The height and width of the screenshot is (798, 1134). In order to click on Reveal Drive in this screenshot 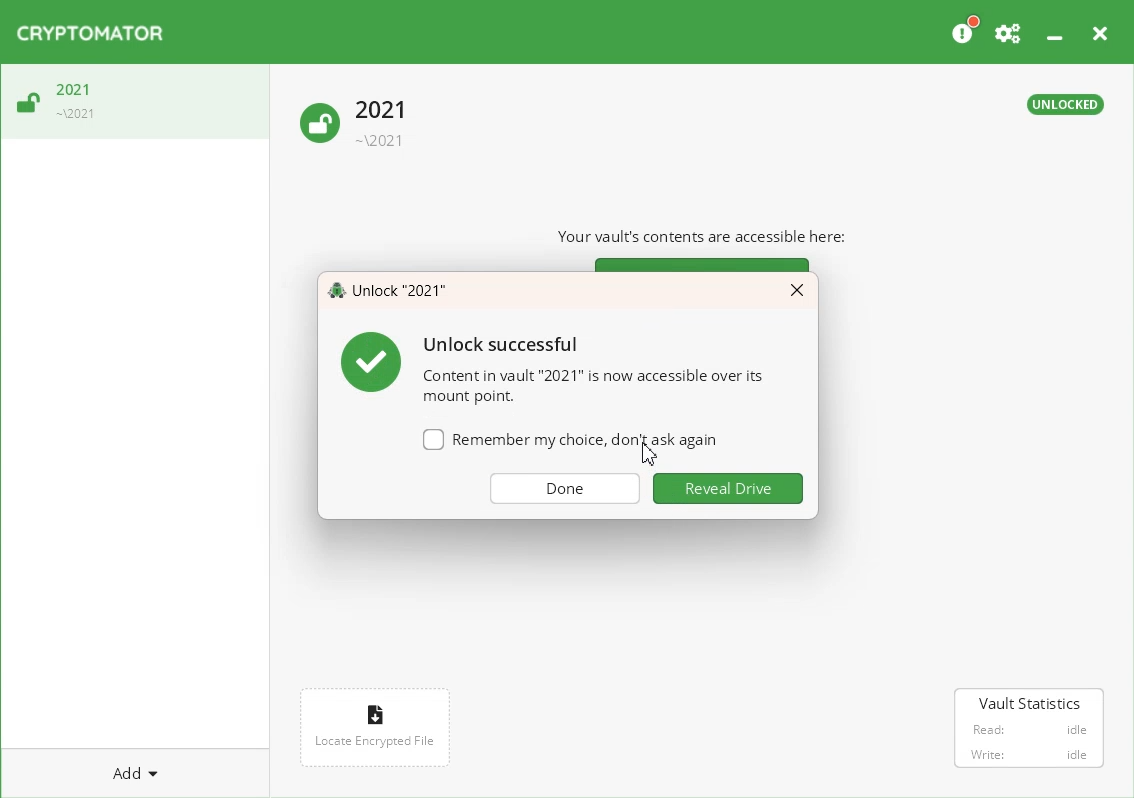, I will do `click(729, 488)`.